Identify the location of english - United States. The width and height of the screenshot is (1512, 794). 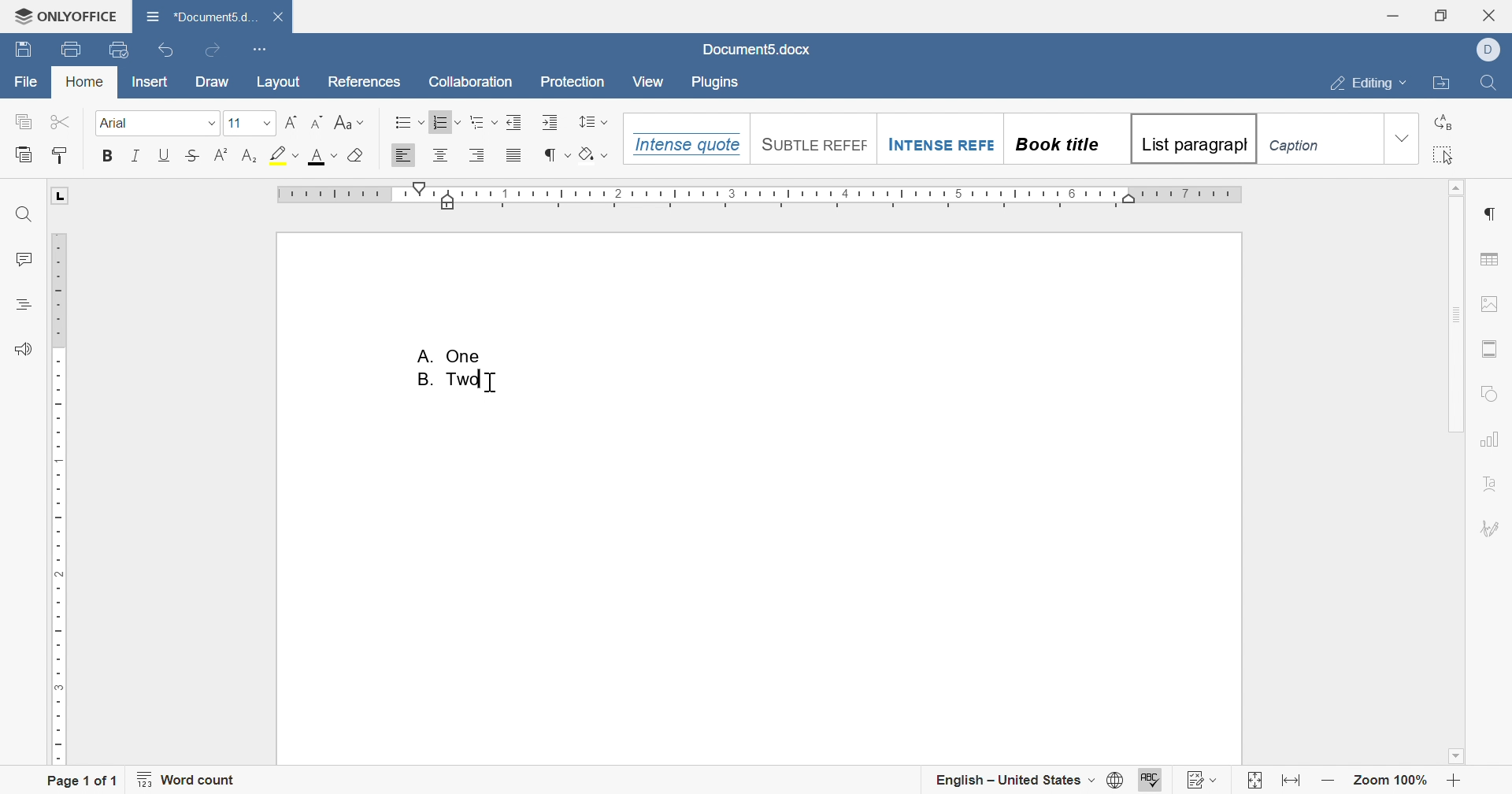
(1028, 781).